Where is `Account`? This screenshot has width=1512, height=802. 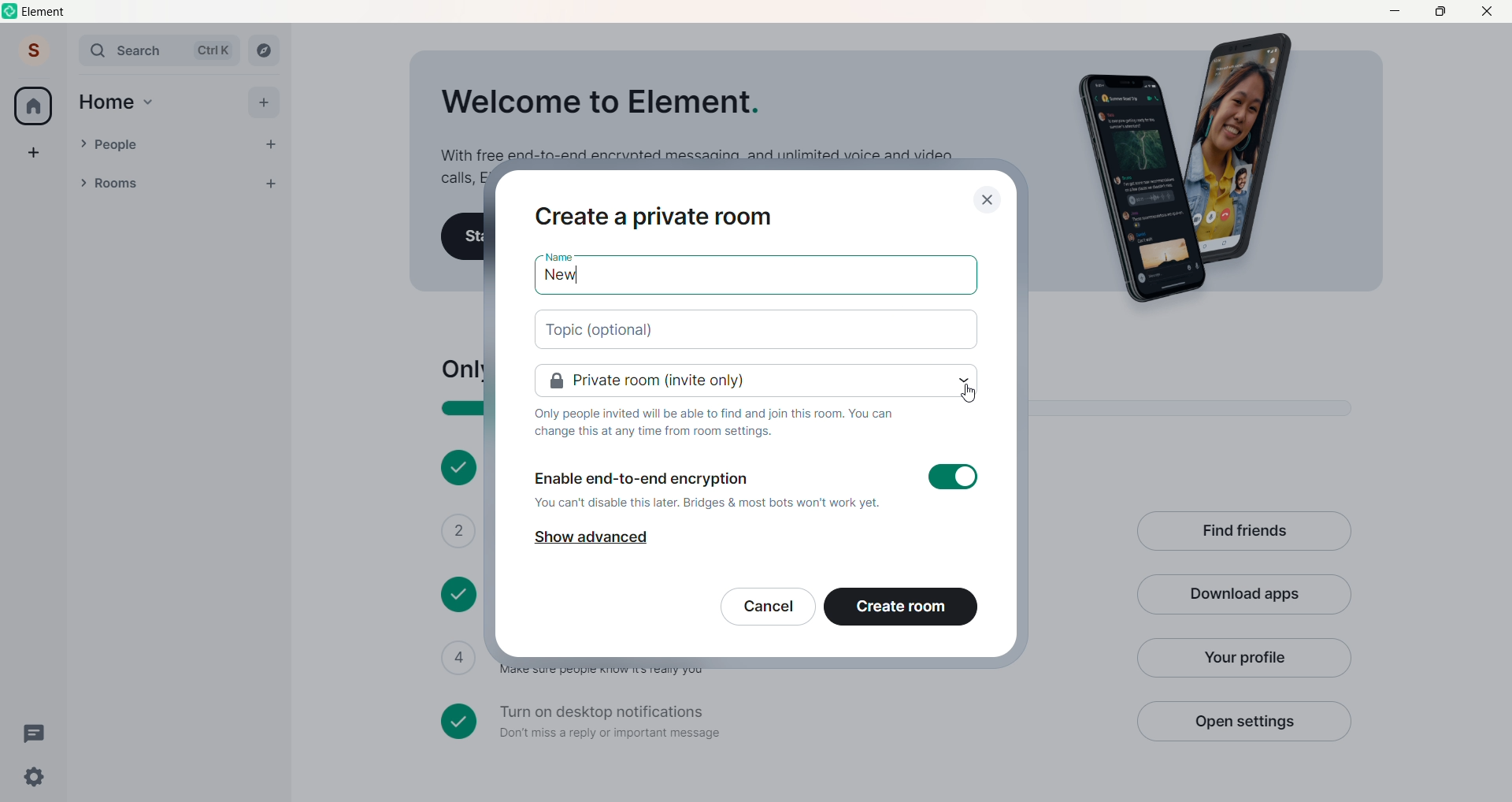 Account is located at coordinates (34, 50).